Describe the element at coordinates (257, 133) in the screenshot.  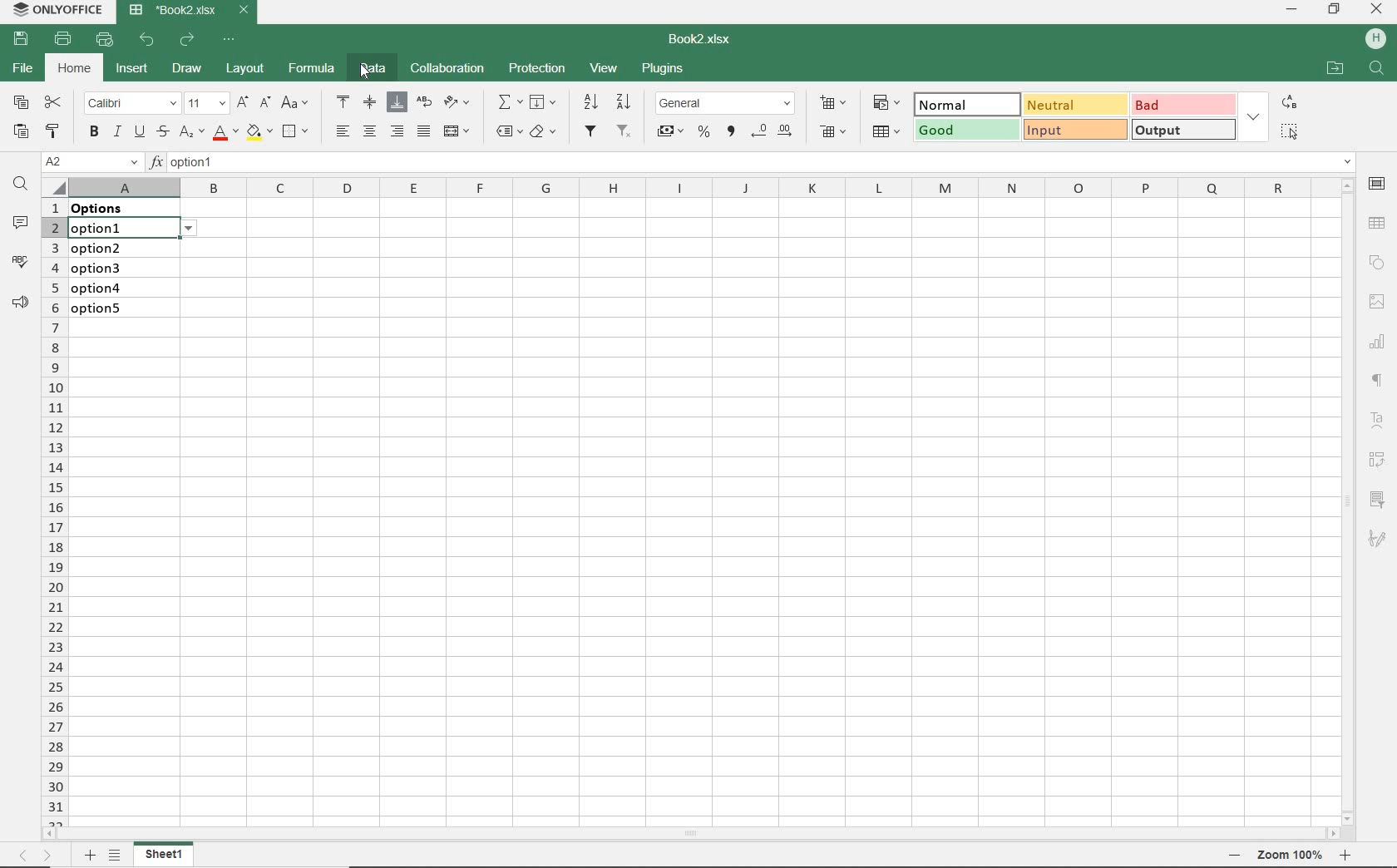
I see `FILL COLOR` at that location.